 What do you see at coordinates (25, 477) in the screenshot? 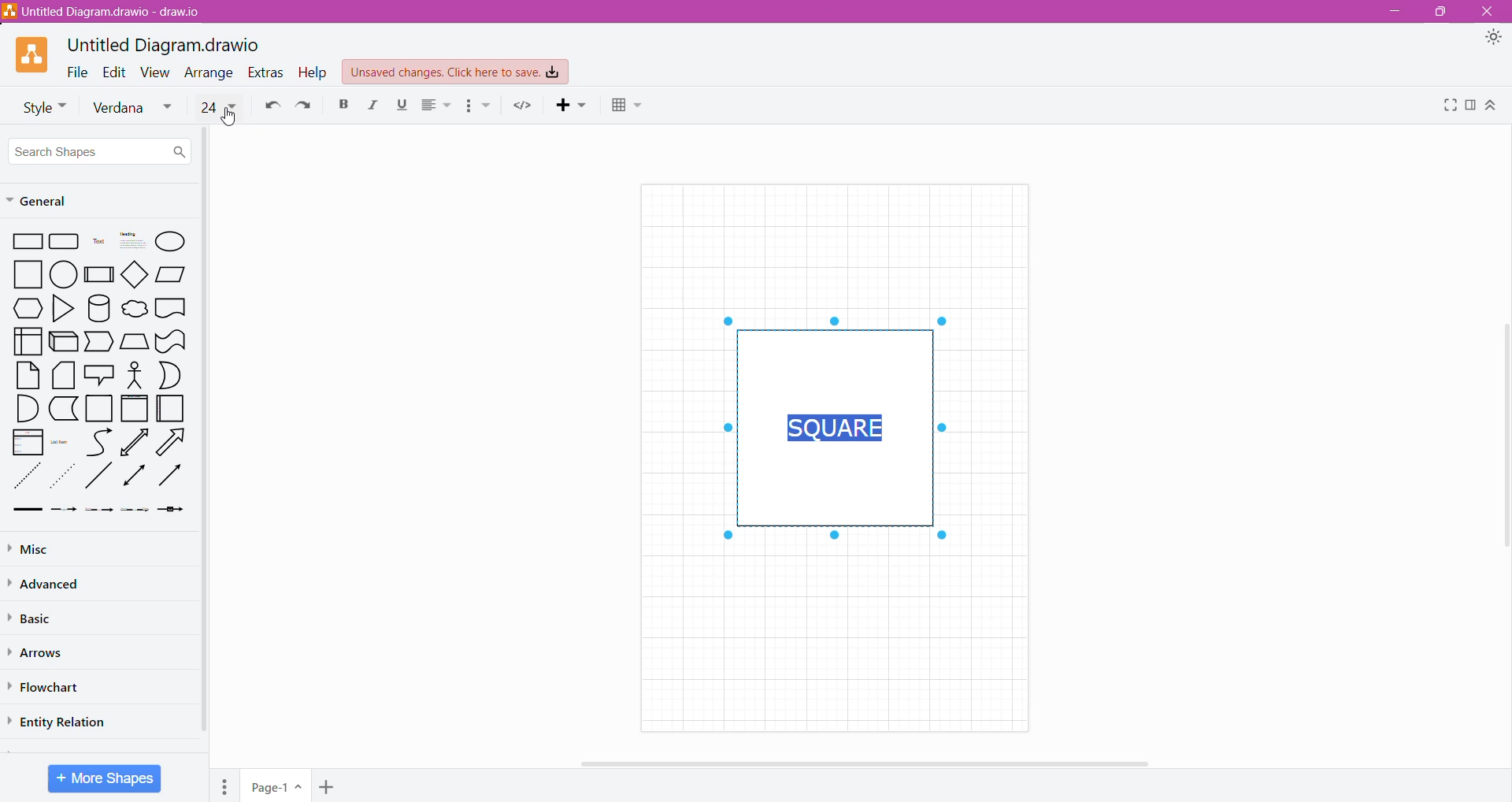
I see `Dotted Line` at bounding box center [25, 477].